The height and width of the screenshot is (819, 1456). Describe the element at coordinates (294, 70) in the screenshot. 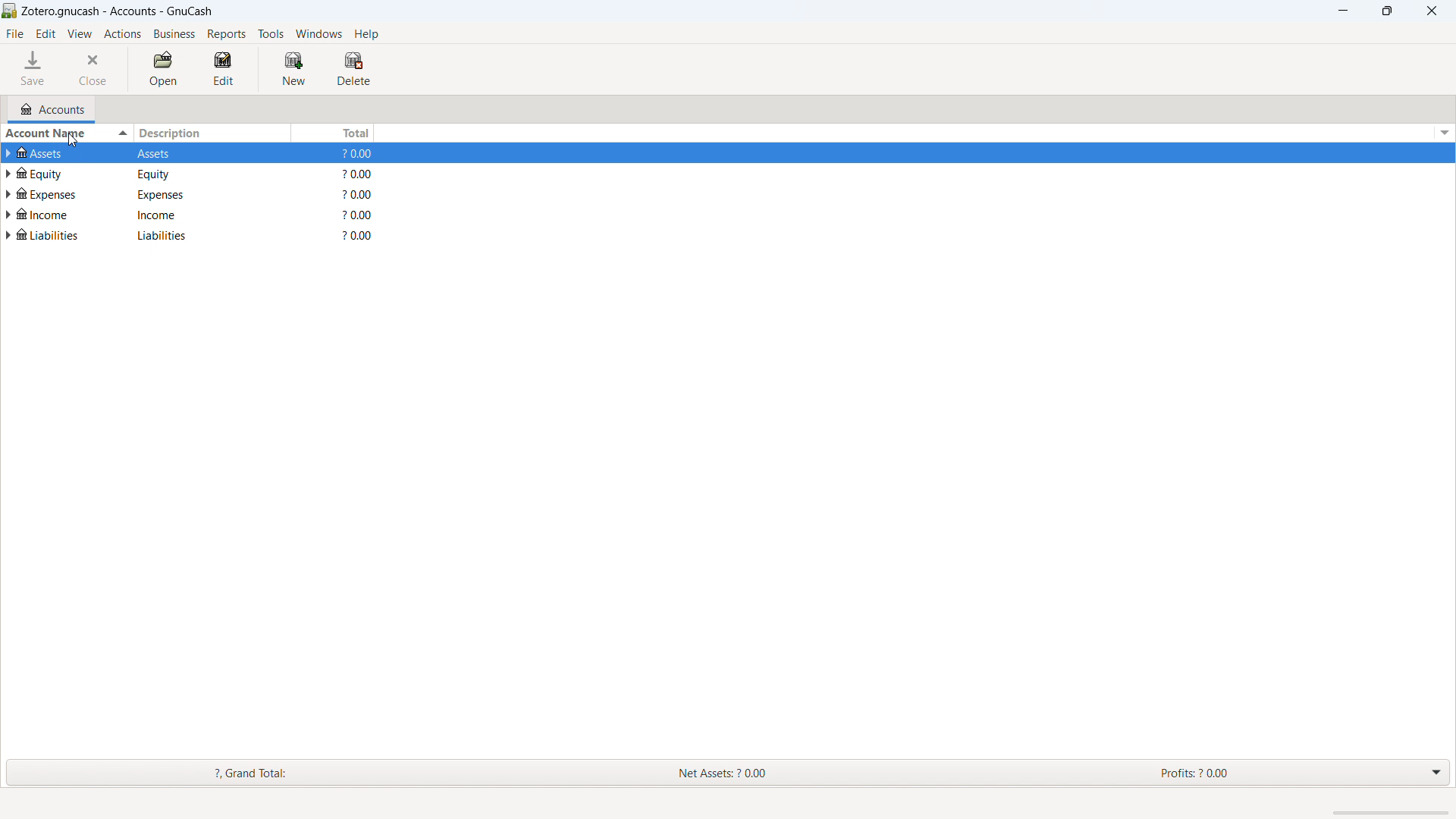

I see `new` at that location.